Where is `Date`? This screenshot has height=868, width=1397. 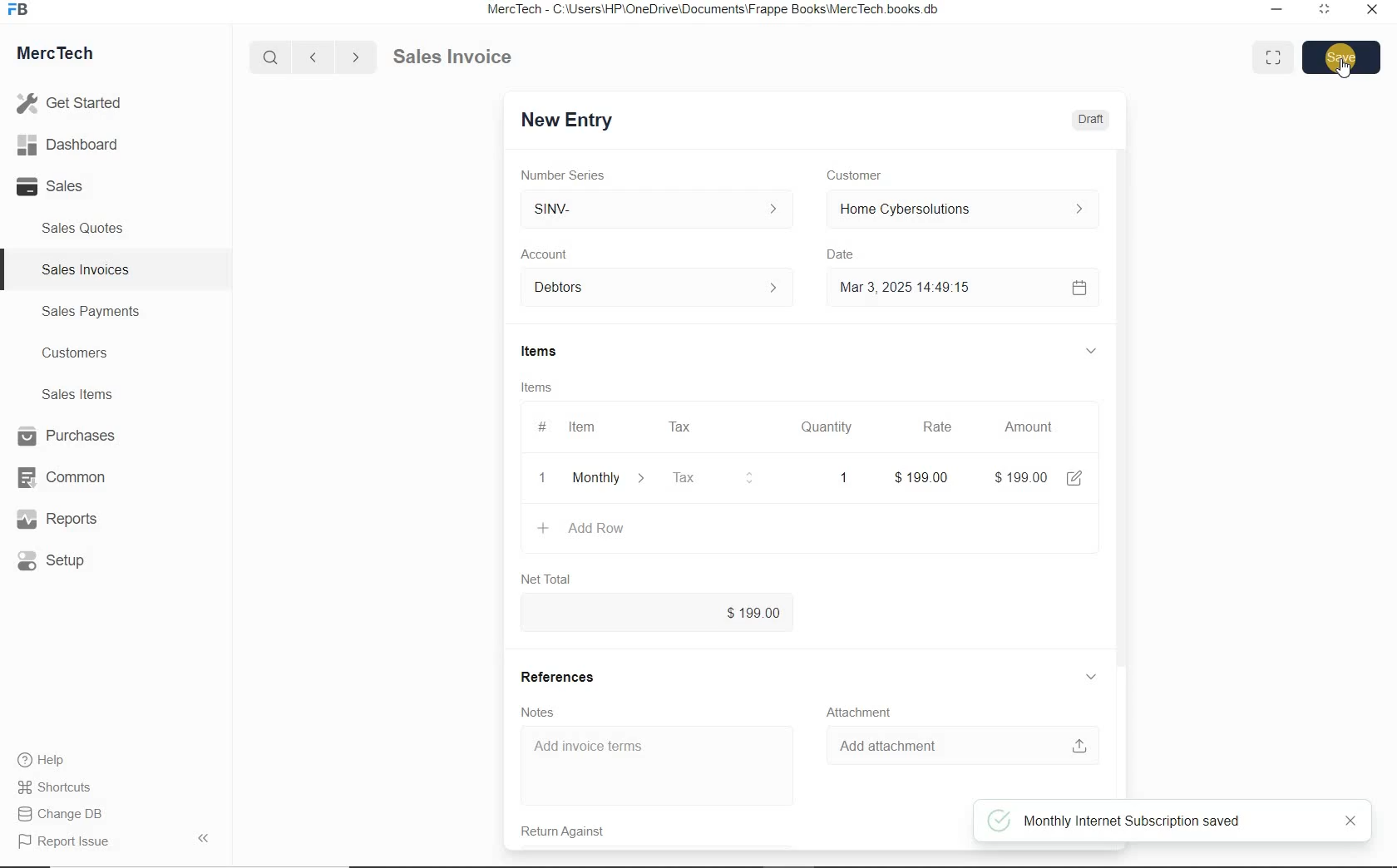
Date is located at coordinates (848, 254).